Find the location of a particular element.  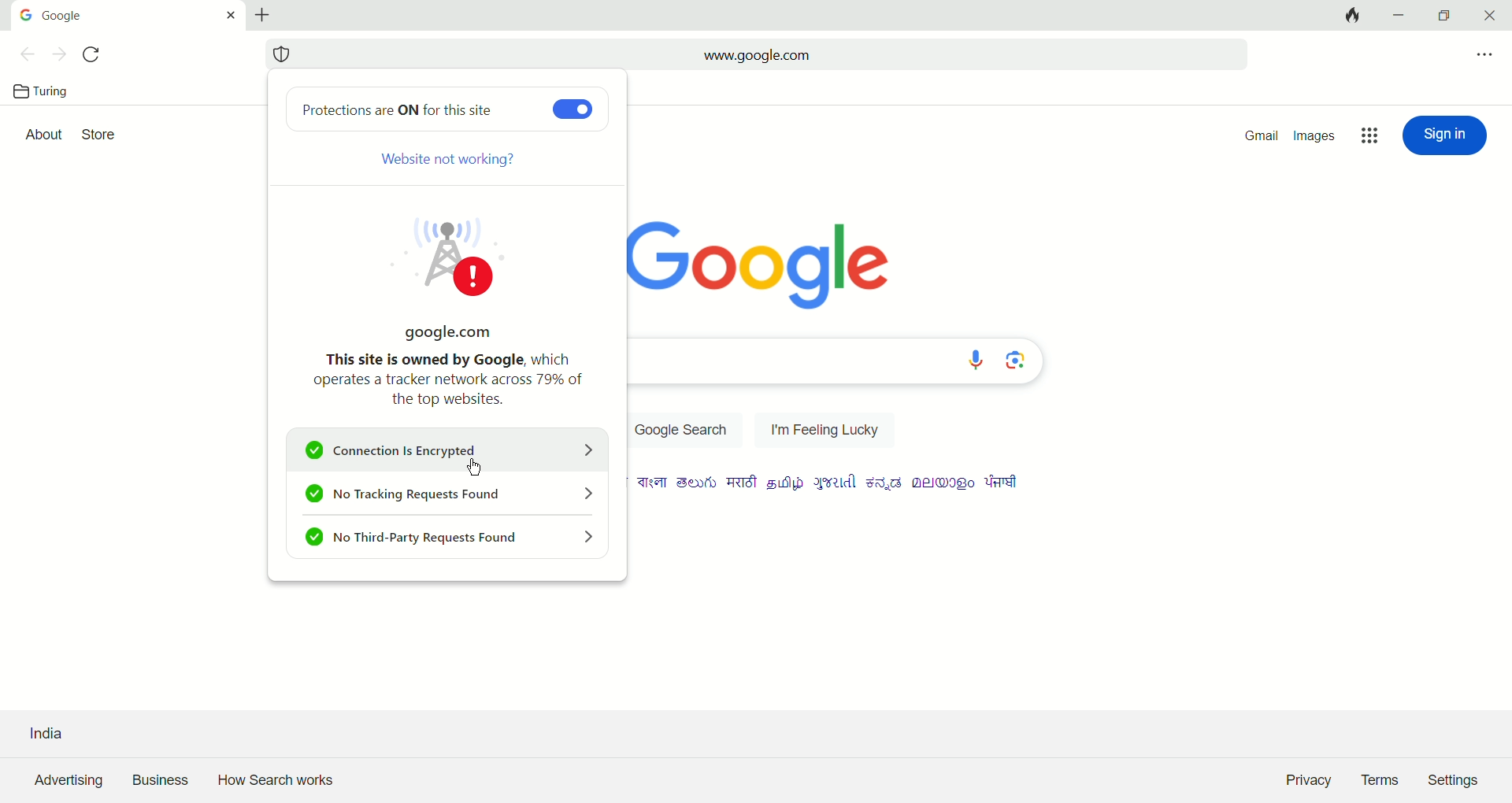

google is located at coordinates (73, 13).